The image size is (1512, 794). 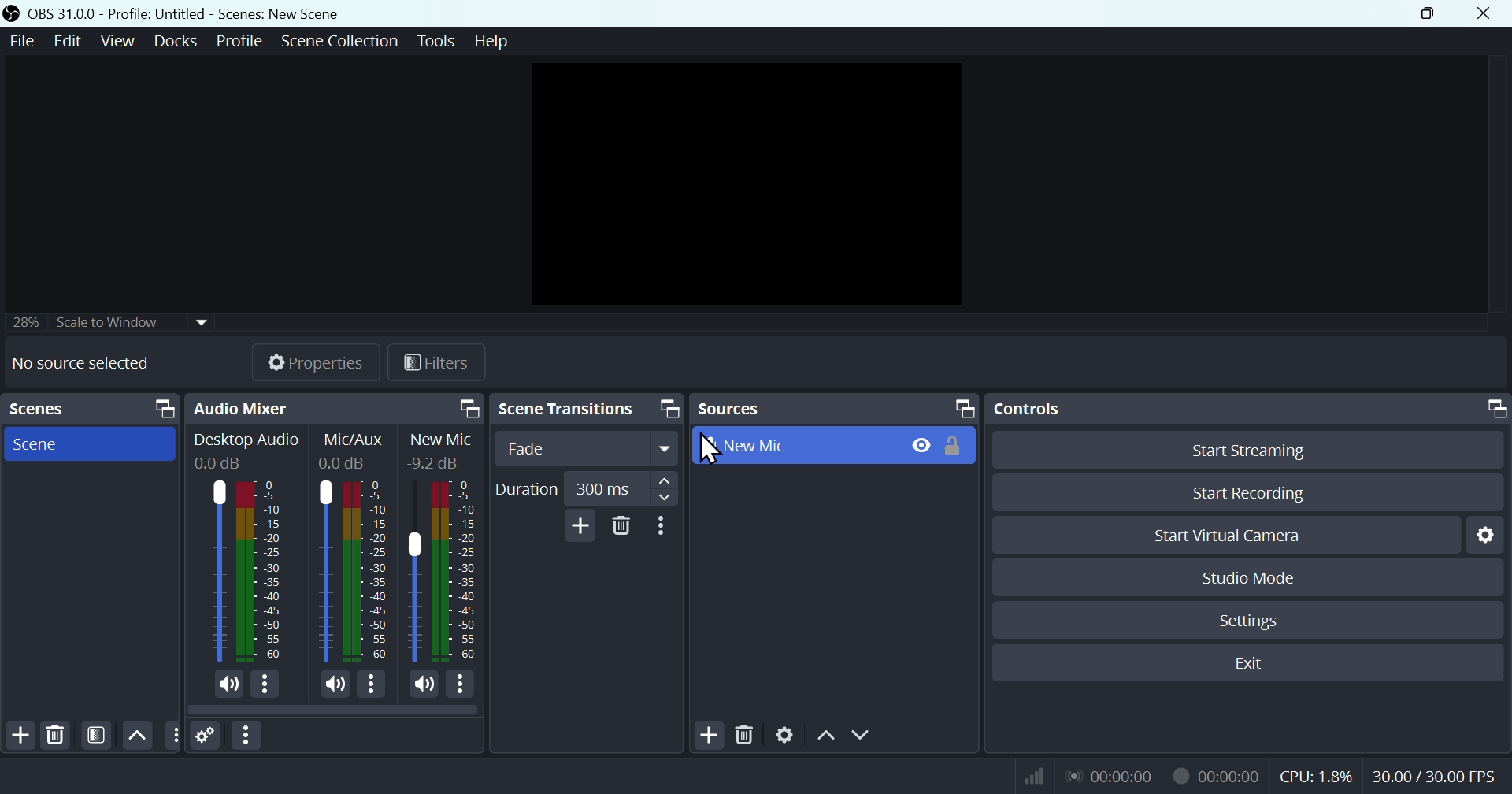 I want to click on Frame Per Second, so click(x=1435, y=777).